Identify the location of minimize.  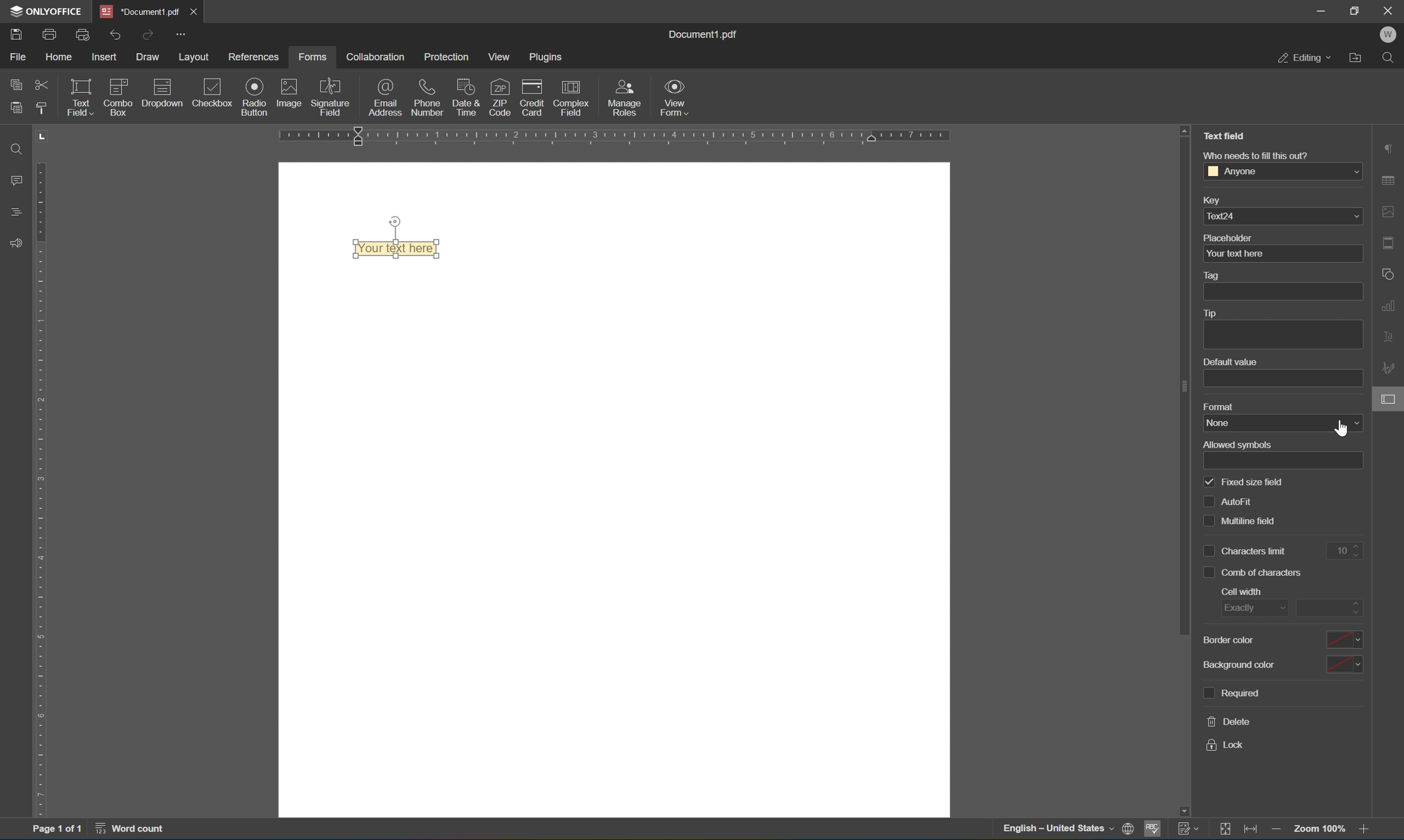
(1320, 10).